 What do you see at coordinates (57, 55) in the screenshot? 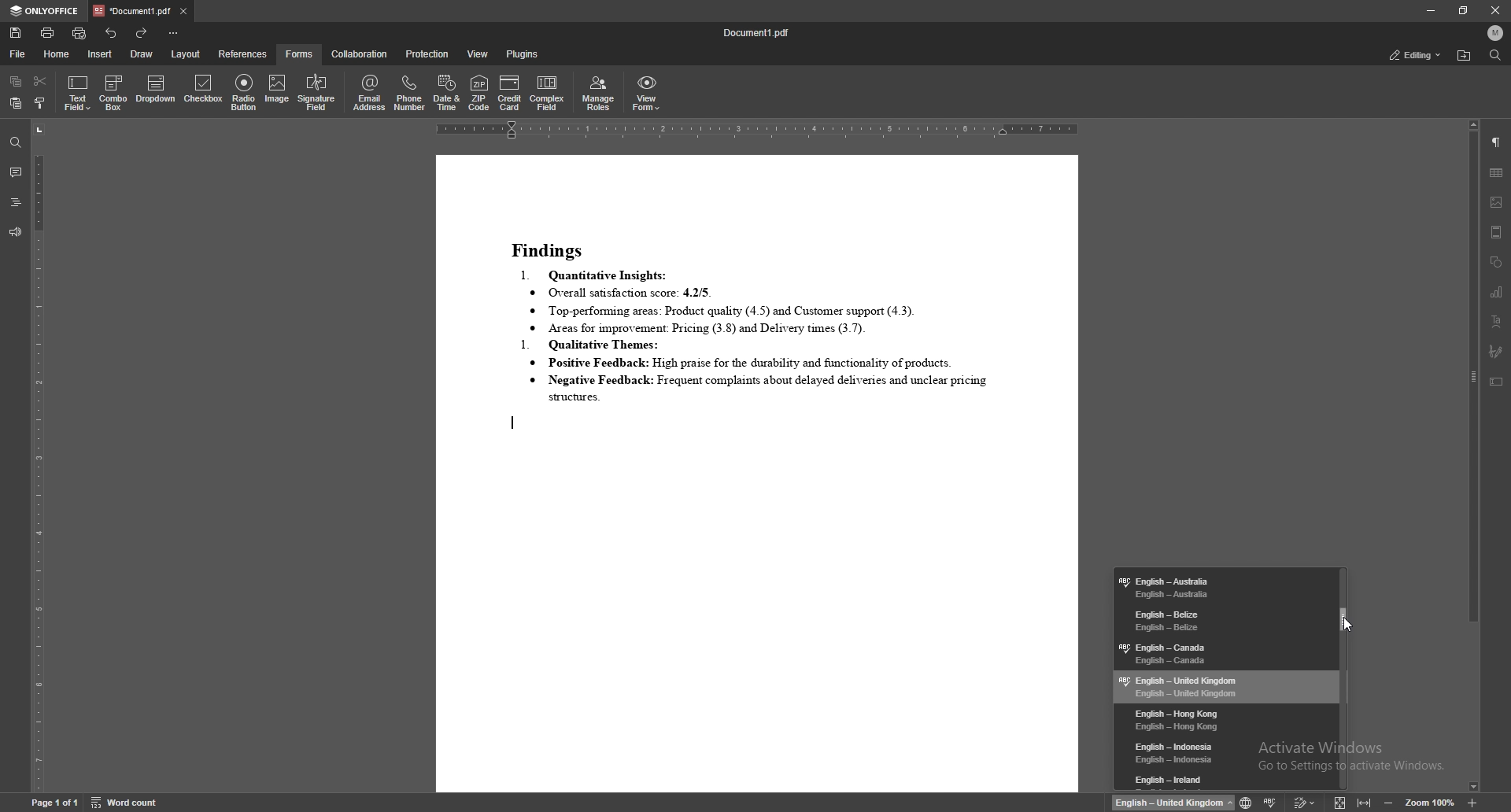
I see `home` at bounding box center [57, 55].